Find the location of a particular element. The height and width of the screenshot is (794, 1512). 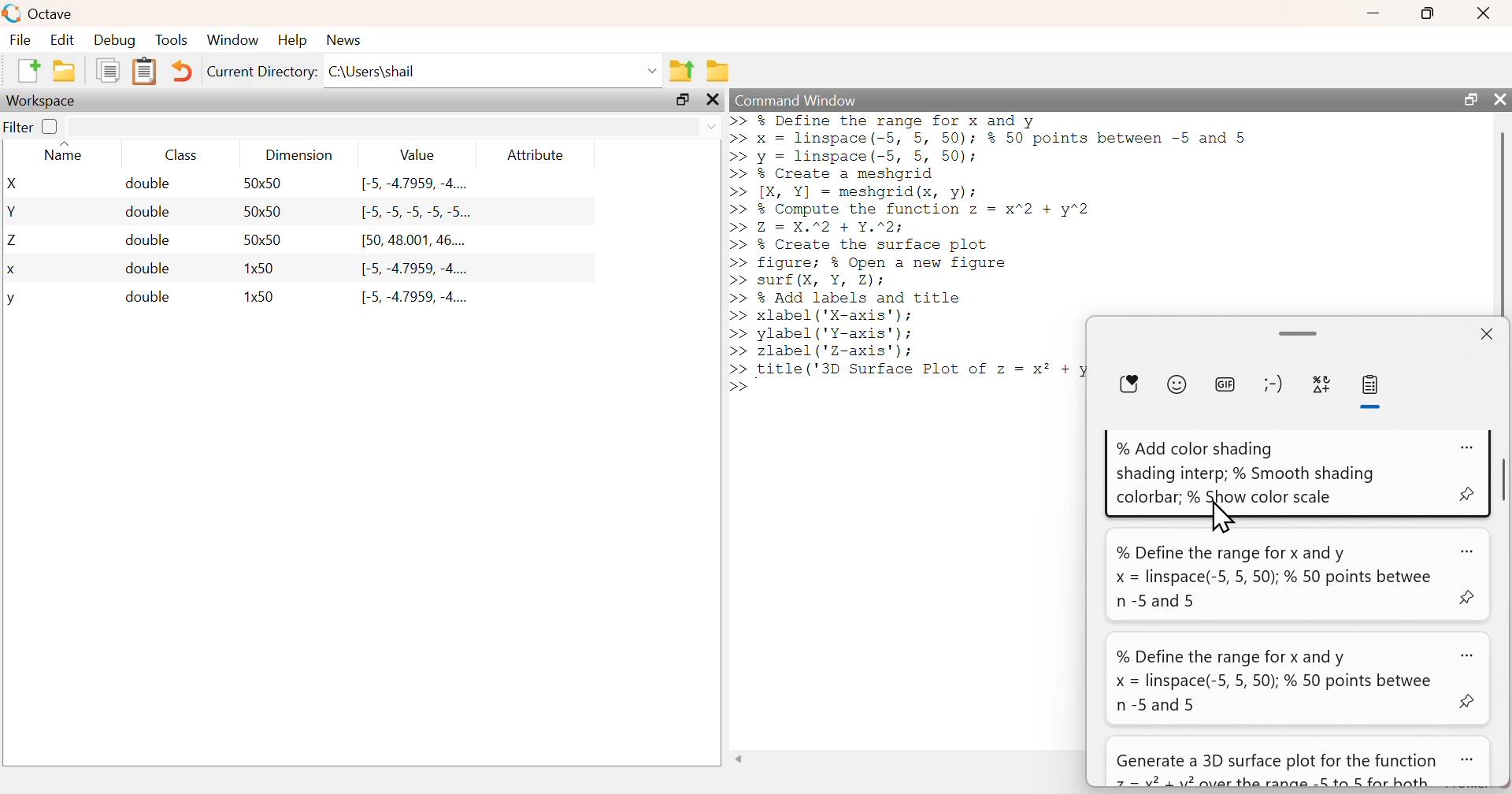

File is located at coordinates (20, 39).